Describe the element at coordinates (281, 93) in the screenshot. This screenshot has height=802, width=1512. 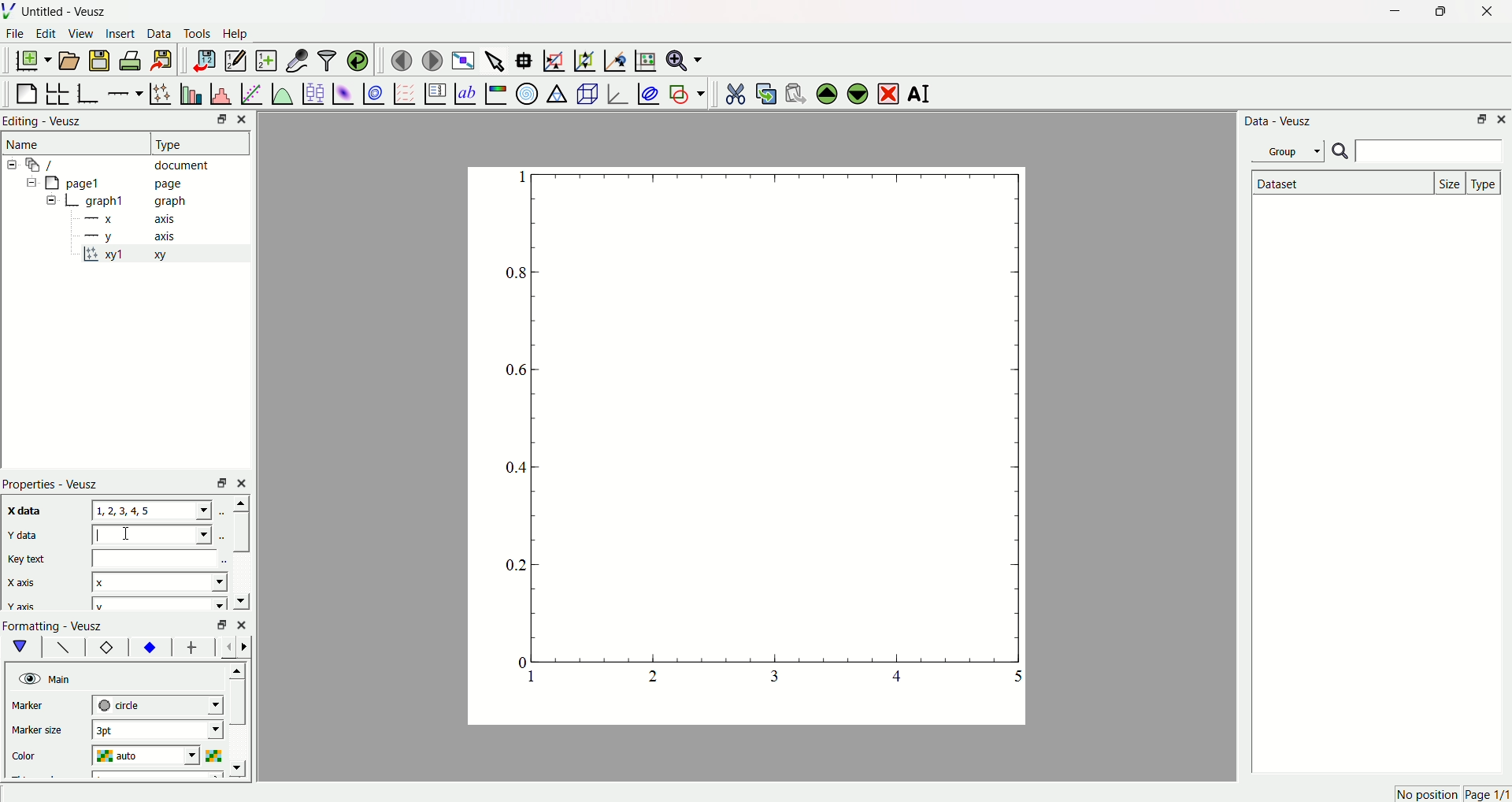
I see `plot a function` at that location.